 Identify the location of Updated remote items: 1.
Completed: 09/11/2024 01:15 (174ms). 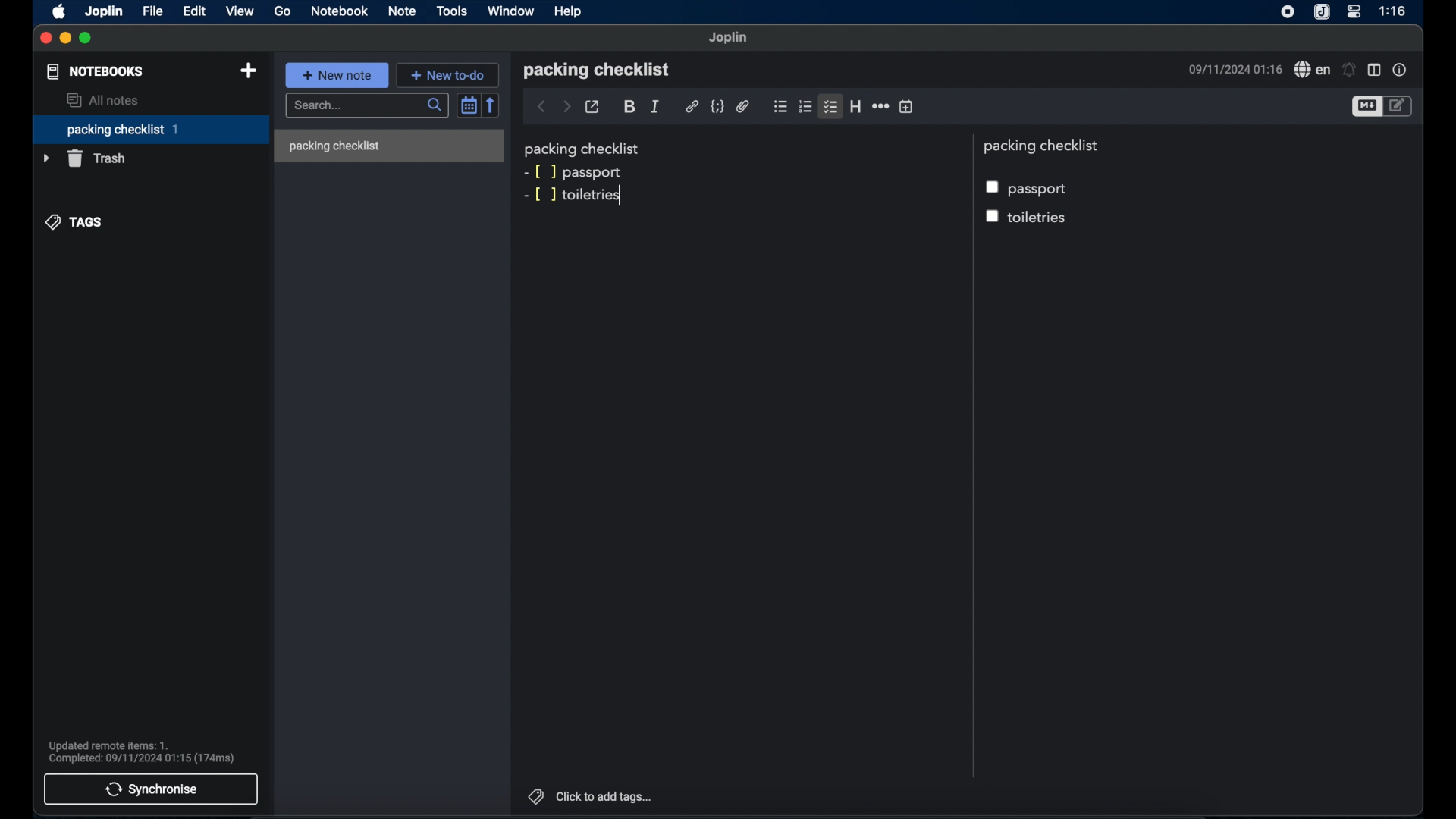
(146, 749).